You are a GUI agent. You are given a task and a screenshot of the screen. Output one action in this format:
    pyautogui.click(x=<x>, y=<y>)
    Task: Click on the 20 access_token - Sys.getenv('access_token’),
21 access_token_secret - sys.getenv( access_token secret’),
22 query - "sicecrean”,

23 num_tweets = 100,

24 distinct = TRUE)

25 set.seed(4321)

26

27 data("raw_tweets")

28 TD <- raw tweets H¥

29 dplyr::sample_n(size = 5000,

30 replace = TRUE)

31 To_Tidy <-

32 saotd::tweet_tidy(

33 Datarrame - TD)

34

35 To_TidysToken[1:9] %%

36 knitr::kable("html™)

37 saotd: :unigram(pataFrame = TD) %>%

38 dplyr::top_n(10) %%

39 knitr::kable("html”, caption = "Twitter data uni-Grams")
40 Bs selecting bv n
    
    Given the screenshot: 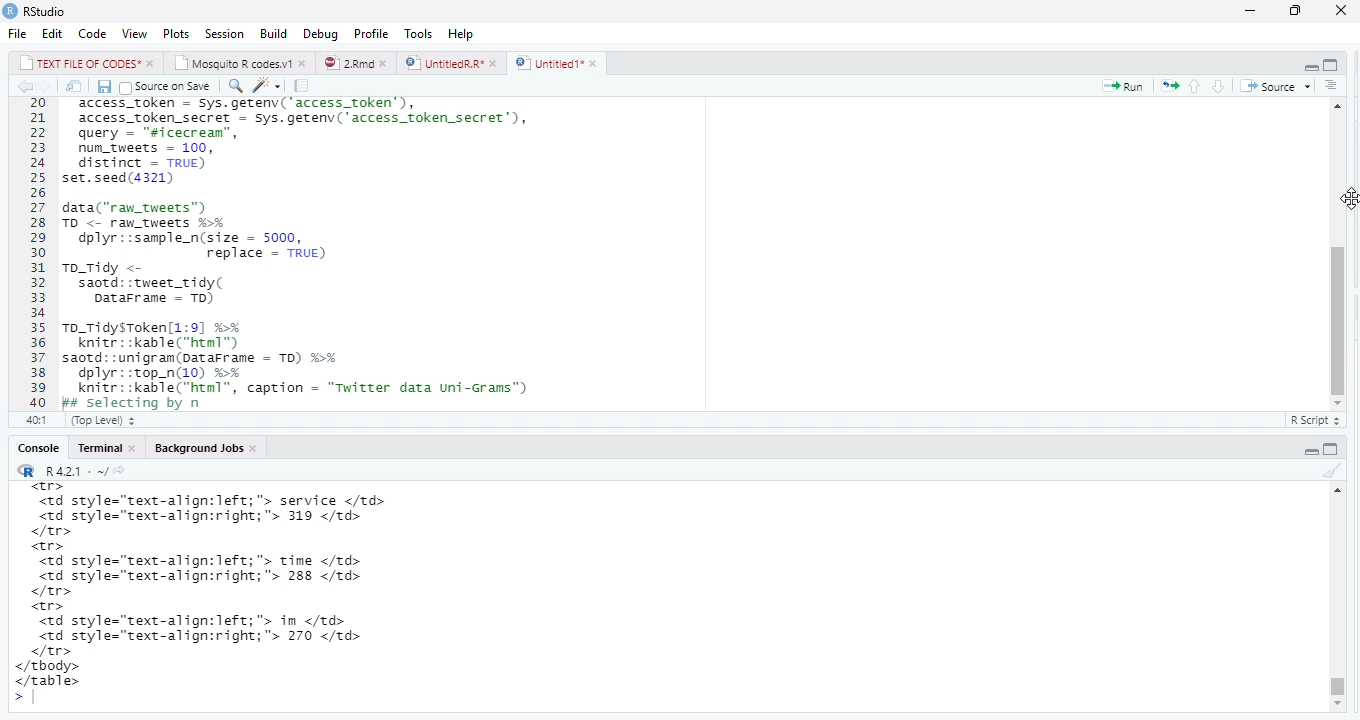 What is the action you would take?
    pyautogui.click(x=304, y=262)
    